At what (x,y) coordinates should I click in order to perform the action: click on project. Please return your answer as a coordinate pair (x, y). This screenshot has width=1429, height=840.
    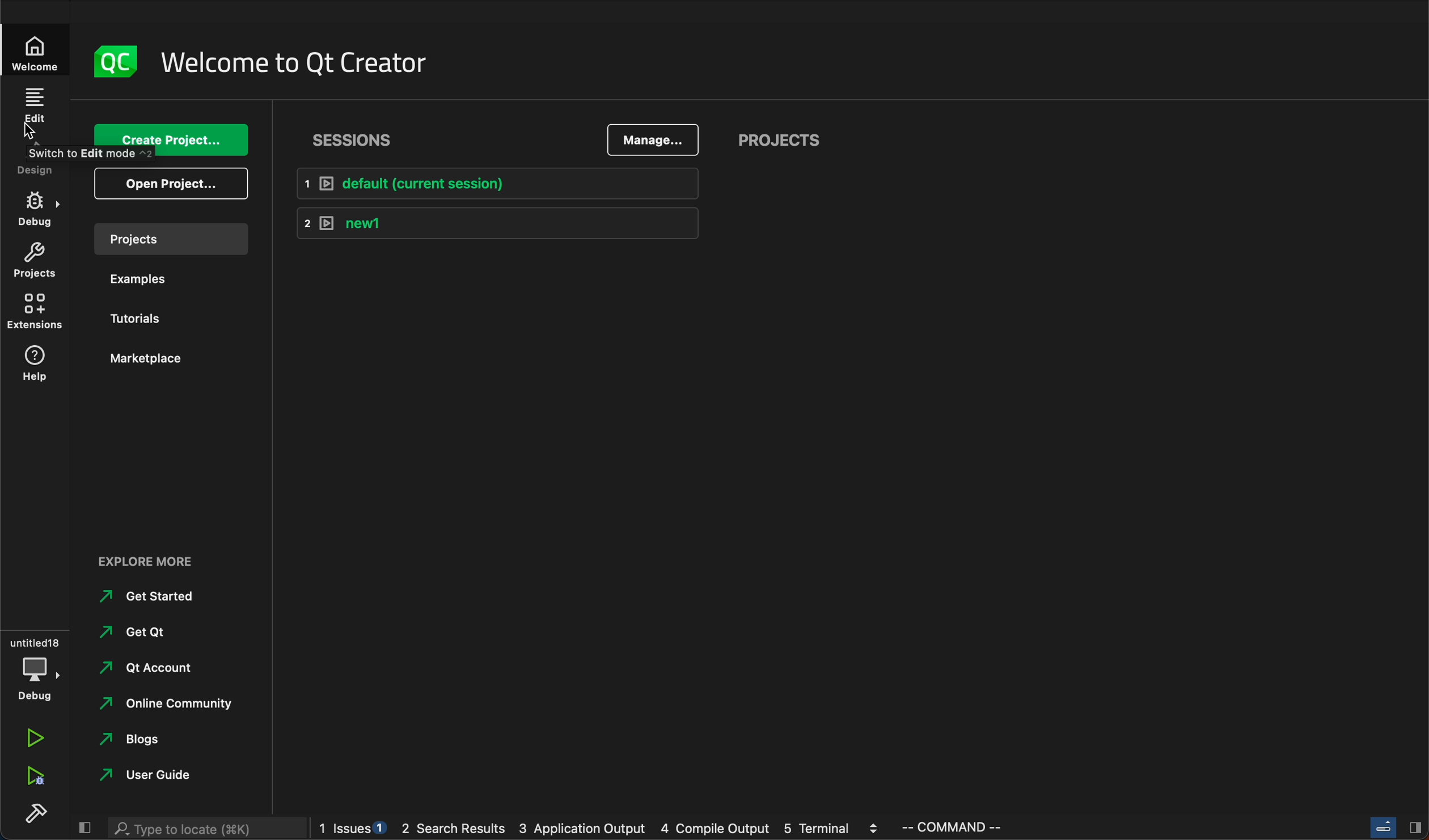
    Looking at the image, I should click on (169, 238).